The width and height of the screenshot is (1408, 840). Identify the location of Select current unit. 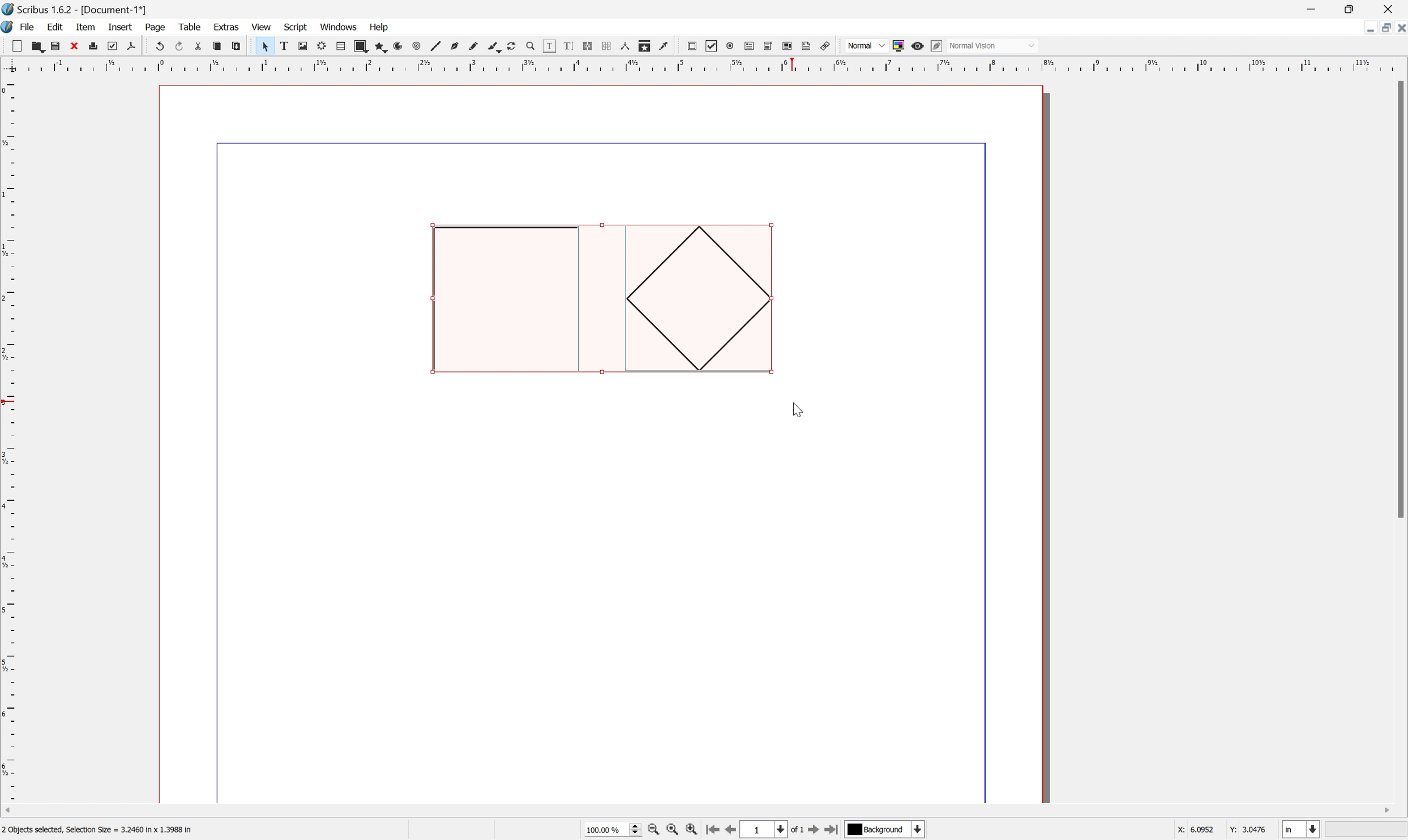
(1301, 830).